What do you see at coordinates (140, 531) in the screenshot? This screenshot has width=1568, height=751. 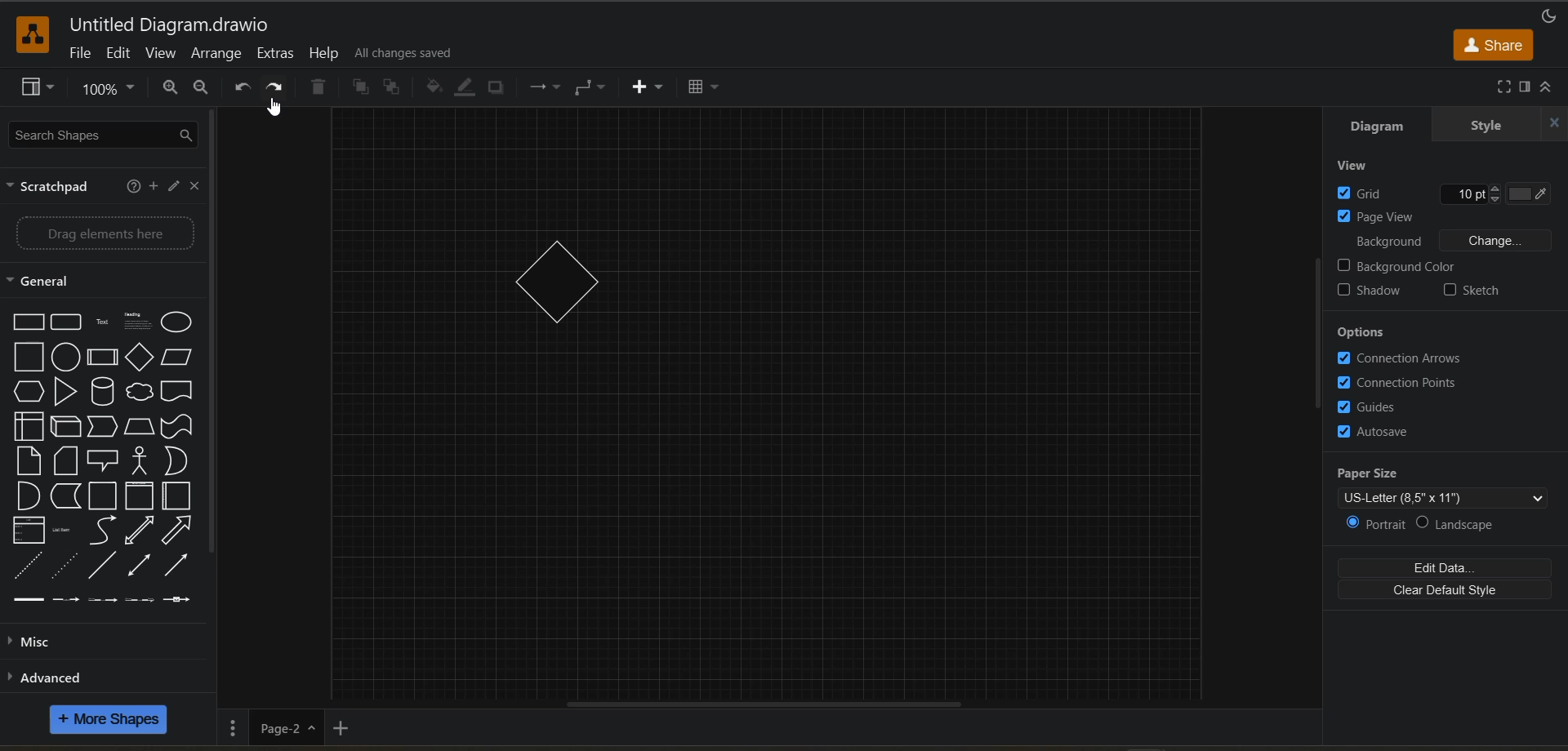 I see `bidirectional arrow` at bounding box center [140, 531].